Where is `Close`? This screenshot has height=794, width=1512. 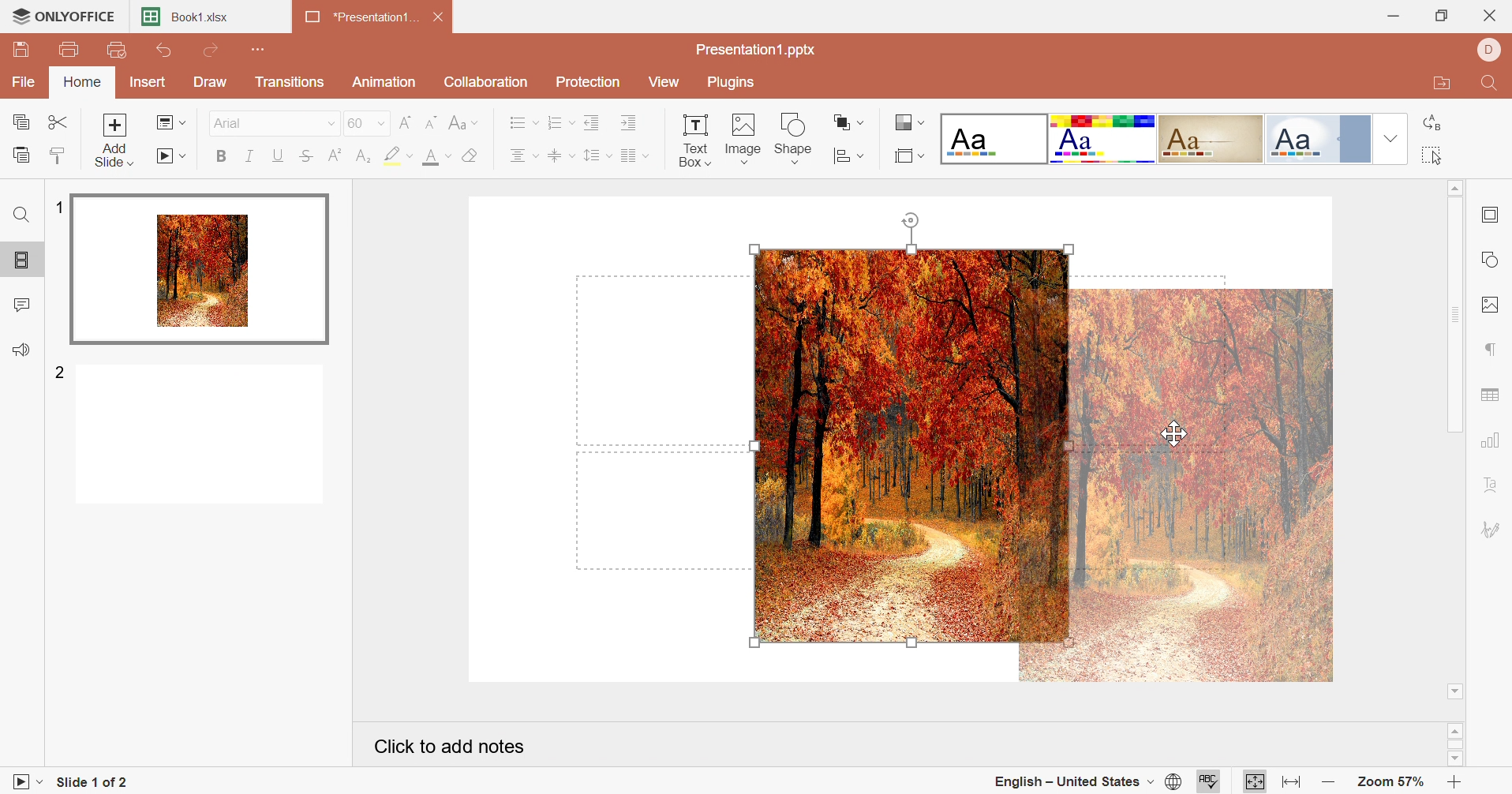 Close is located at coordinates (441, 19).